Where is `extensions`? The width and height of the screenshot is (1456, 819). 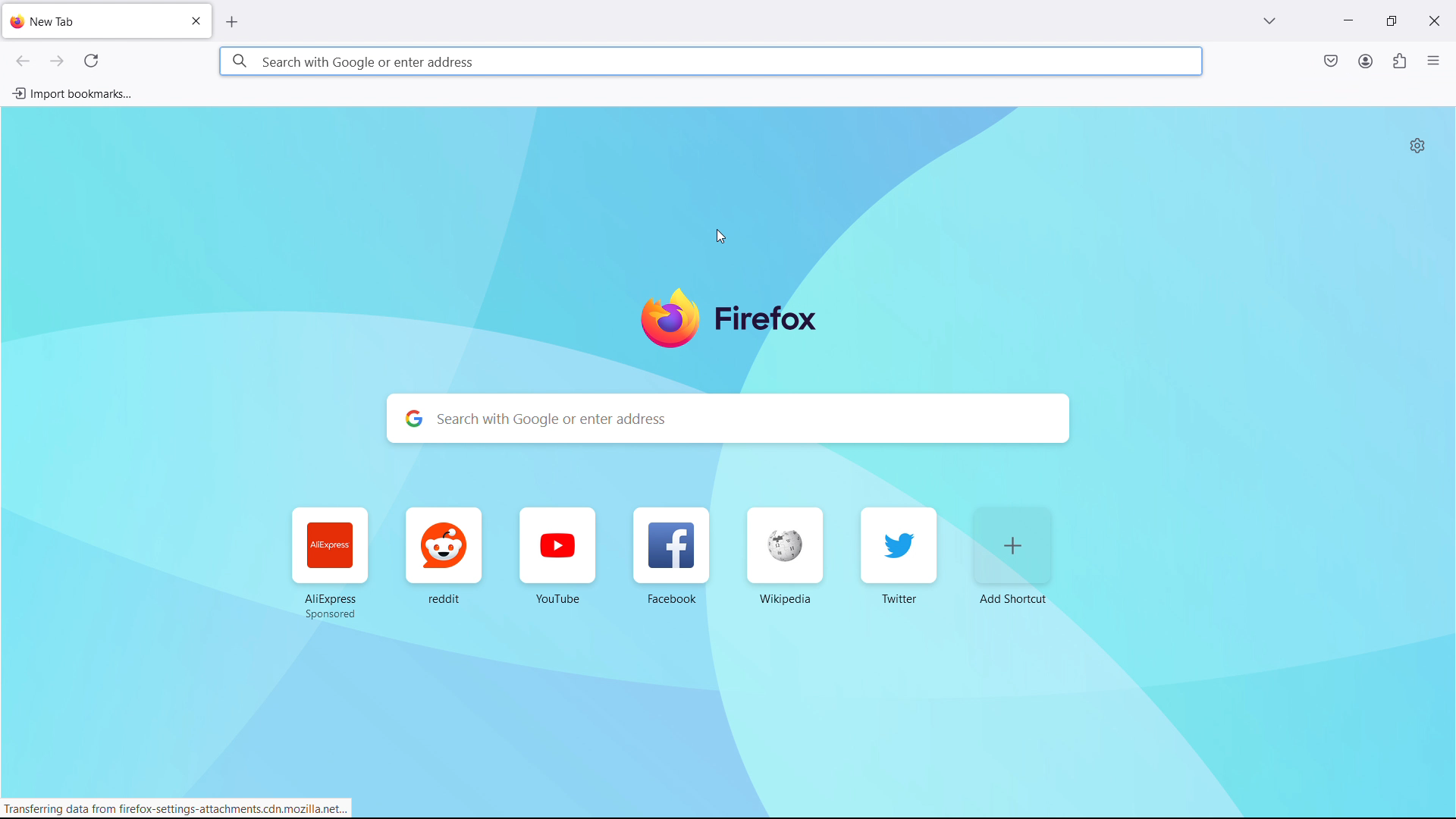 extensions is located at coordinates (1398, 61).